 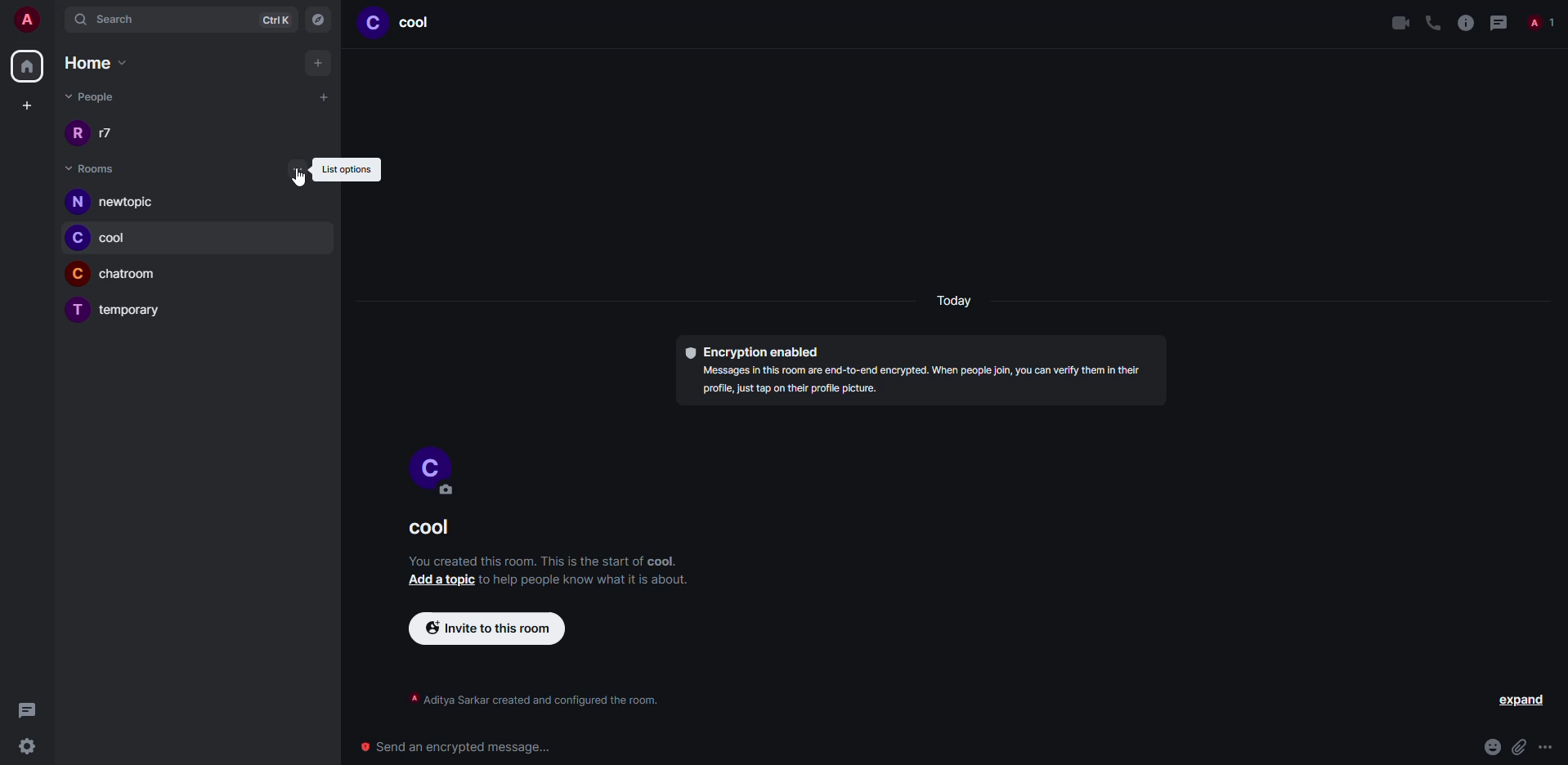 What do you see at coordinates (543, 560) in the screenshot?
I see `info` at bounding box center [543, 560].